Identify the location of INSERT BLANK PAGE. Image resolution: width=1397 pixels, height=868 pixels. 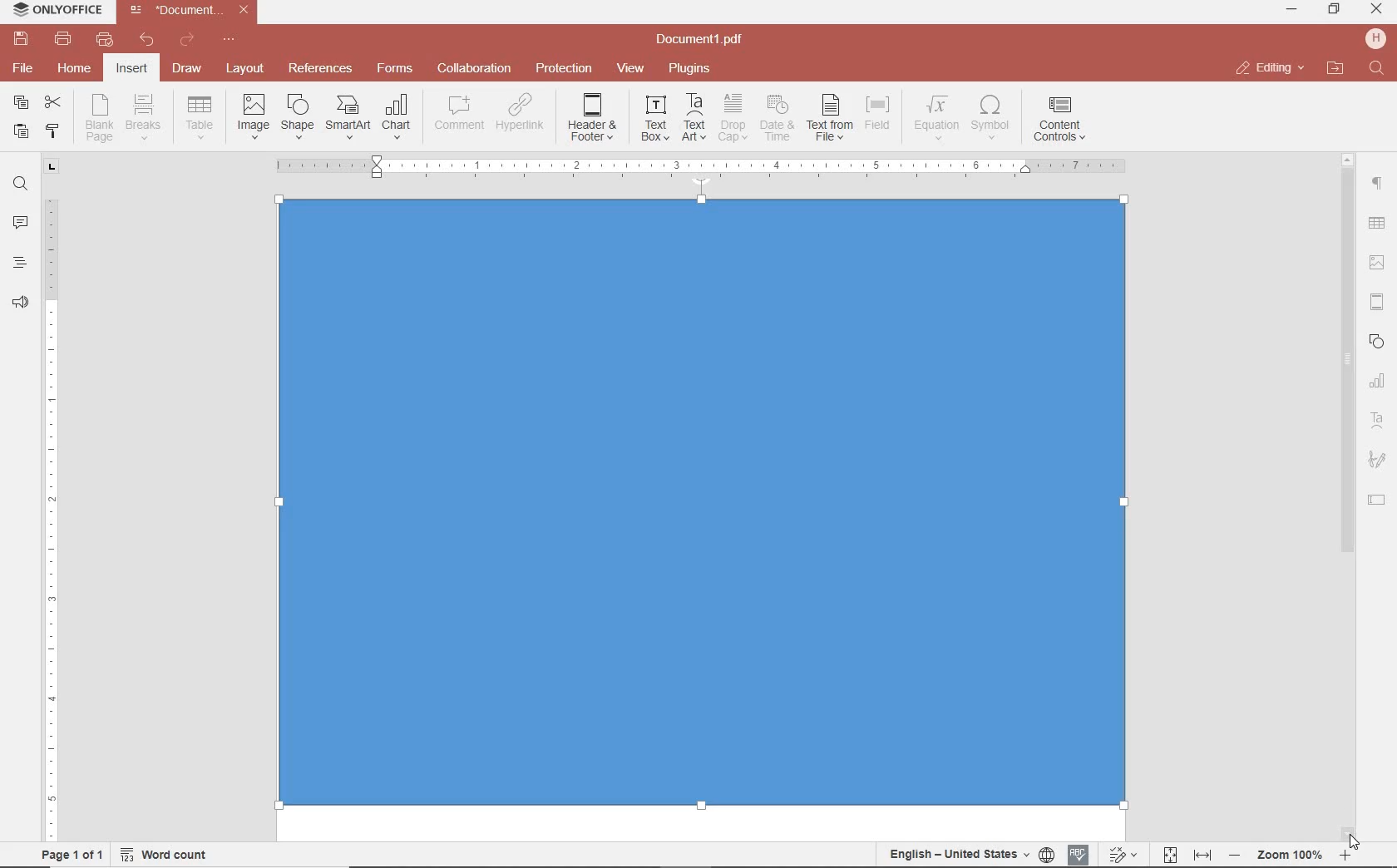
(99, 117).